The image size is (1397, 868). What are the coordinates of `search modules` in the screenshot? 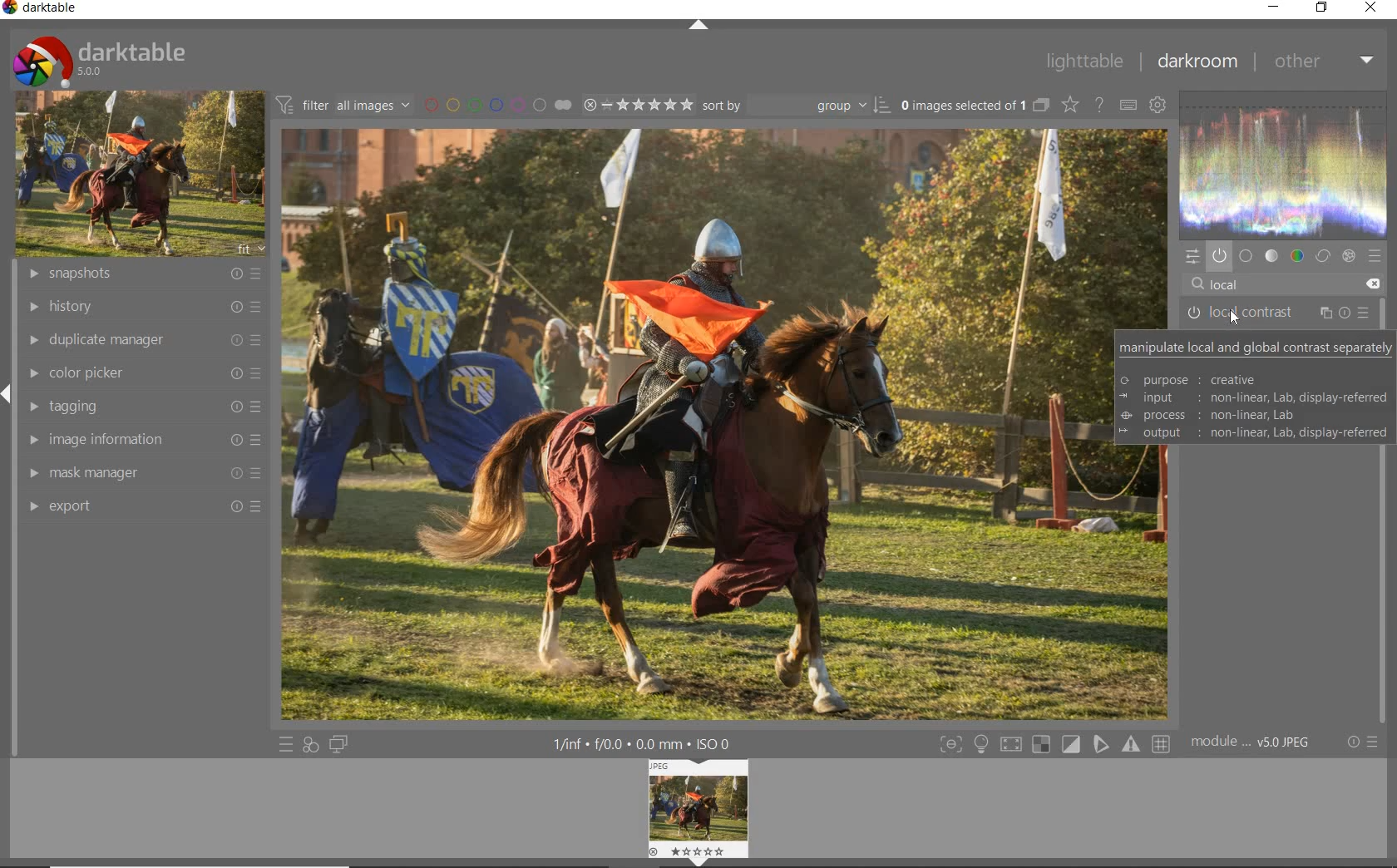 It's located at (1279, 284).